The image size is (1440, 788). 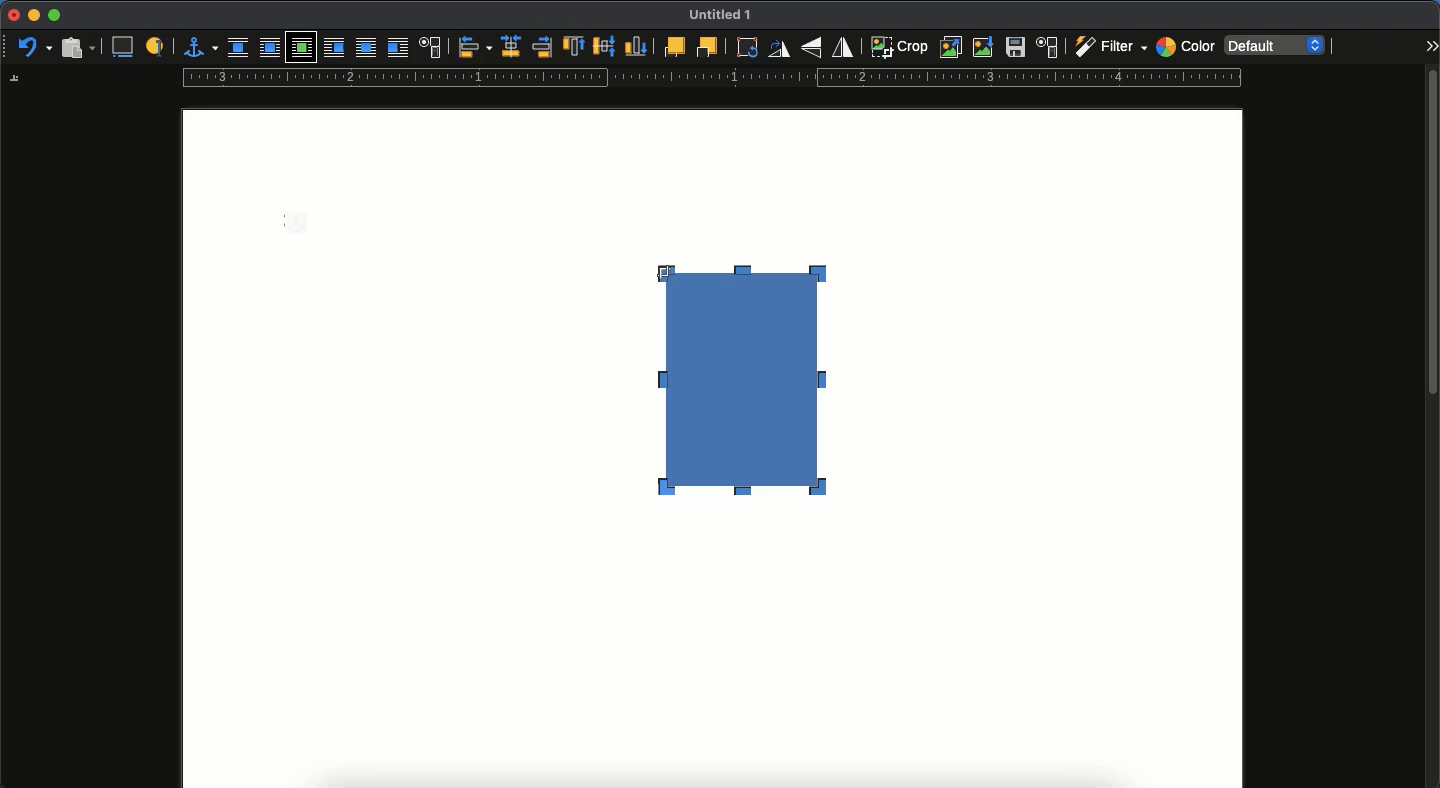 What do you see at coordinates (121, 47) in the screenshot?
I see `insert caption` at bounding box center [121, 47].